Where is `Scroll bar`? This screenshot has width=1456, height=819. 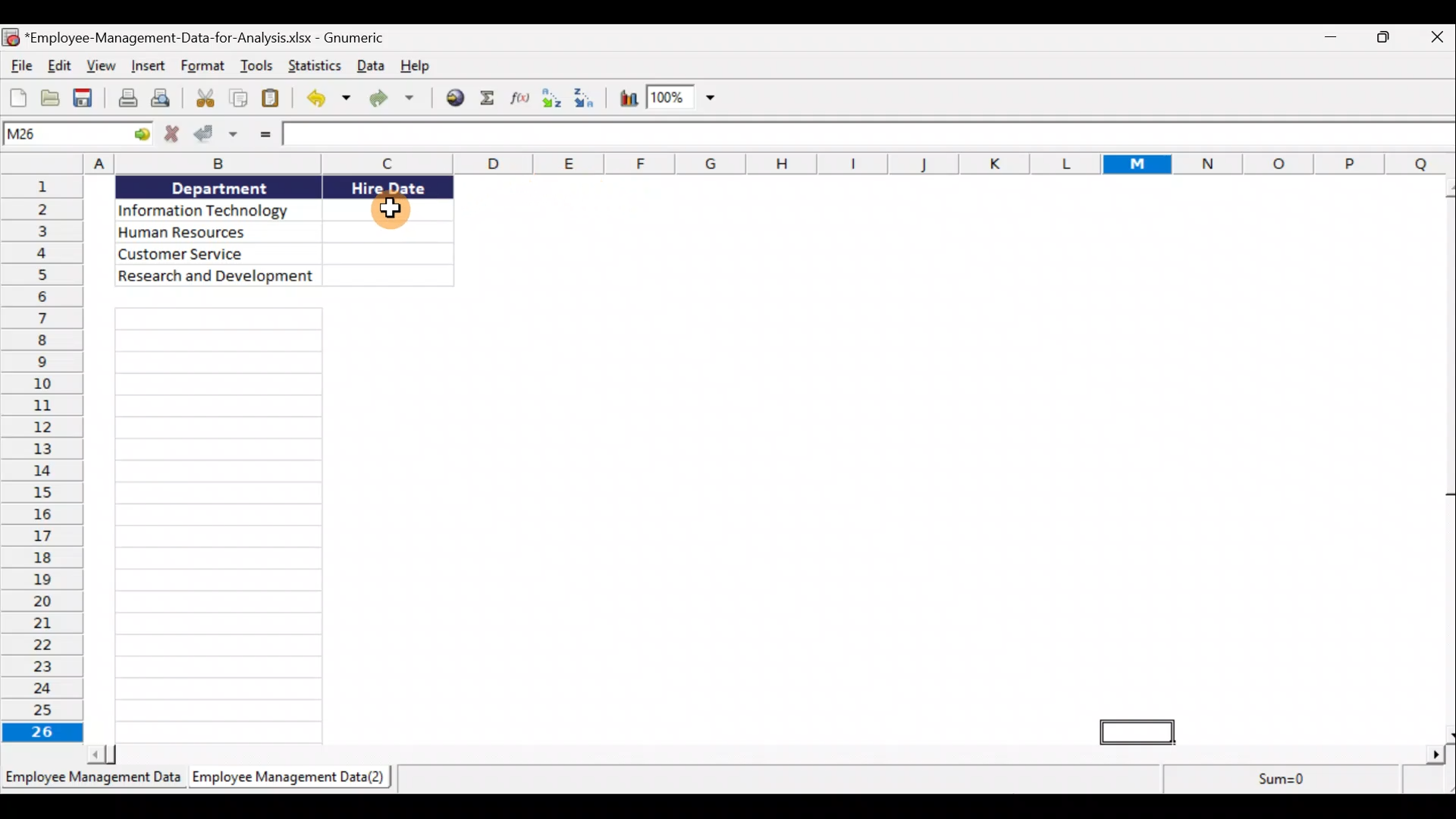
Scroll bar is located at coordinates (1446, 459).